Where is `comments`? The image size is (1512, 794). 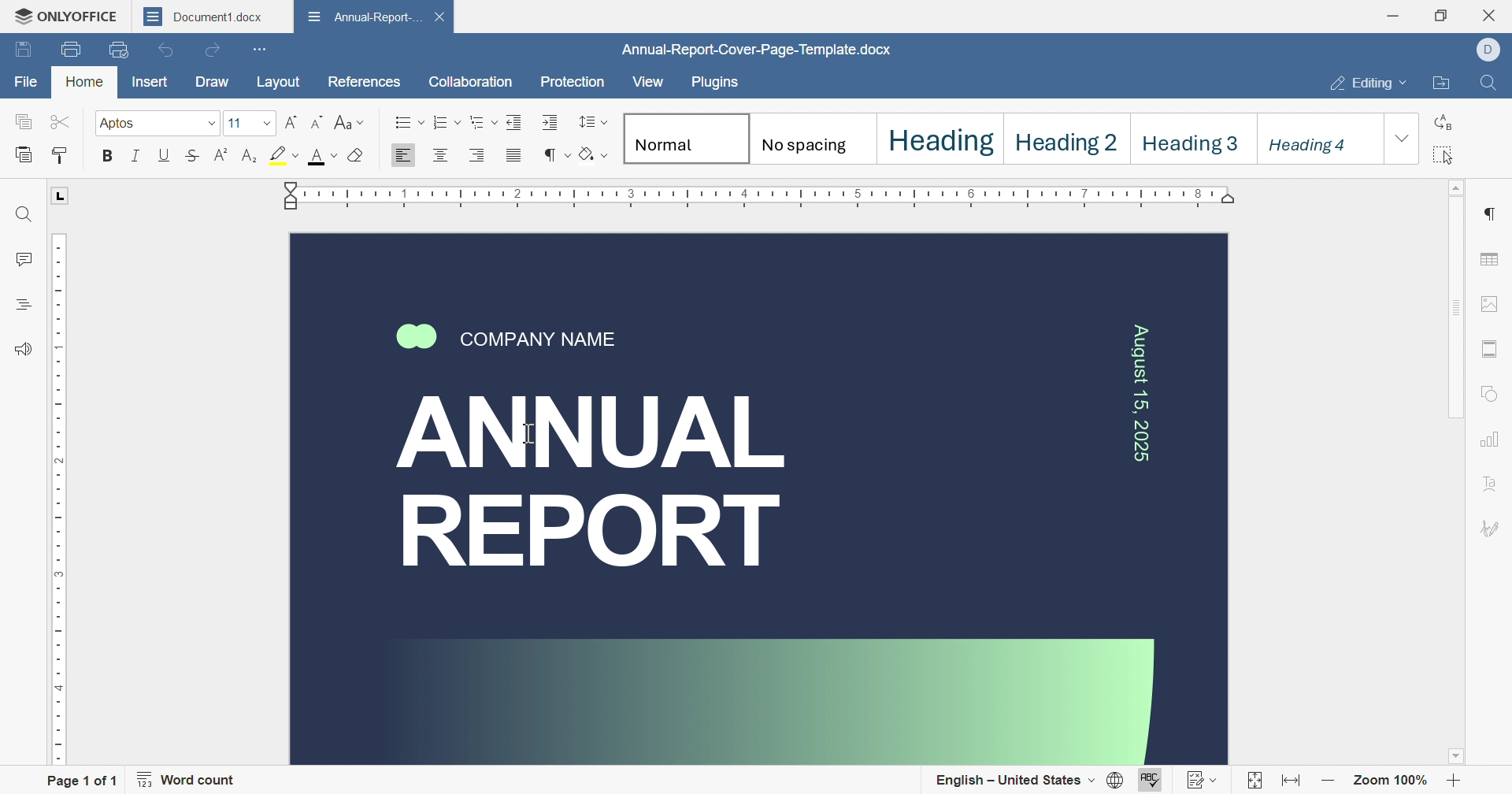
comments is located at coordinates (23, 257).